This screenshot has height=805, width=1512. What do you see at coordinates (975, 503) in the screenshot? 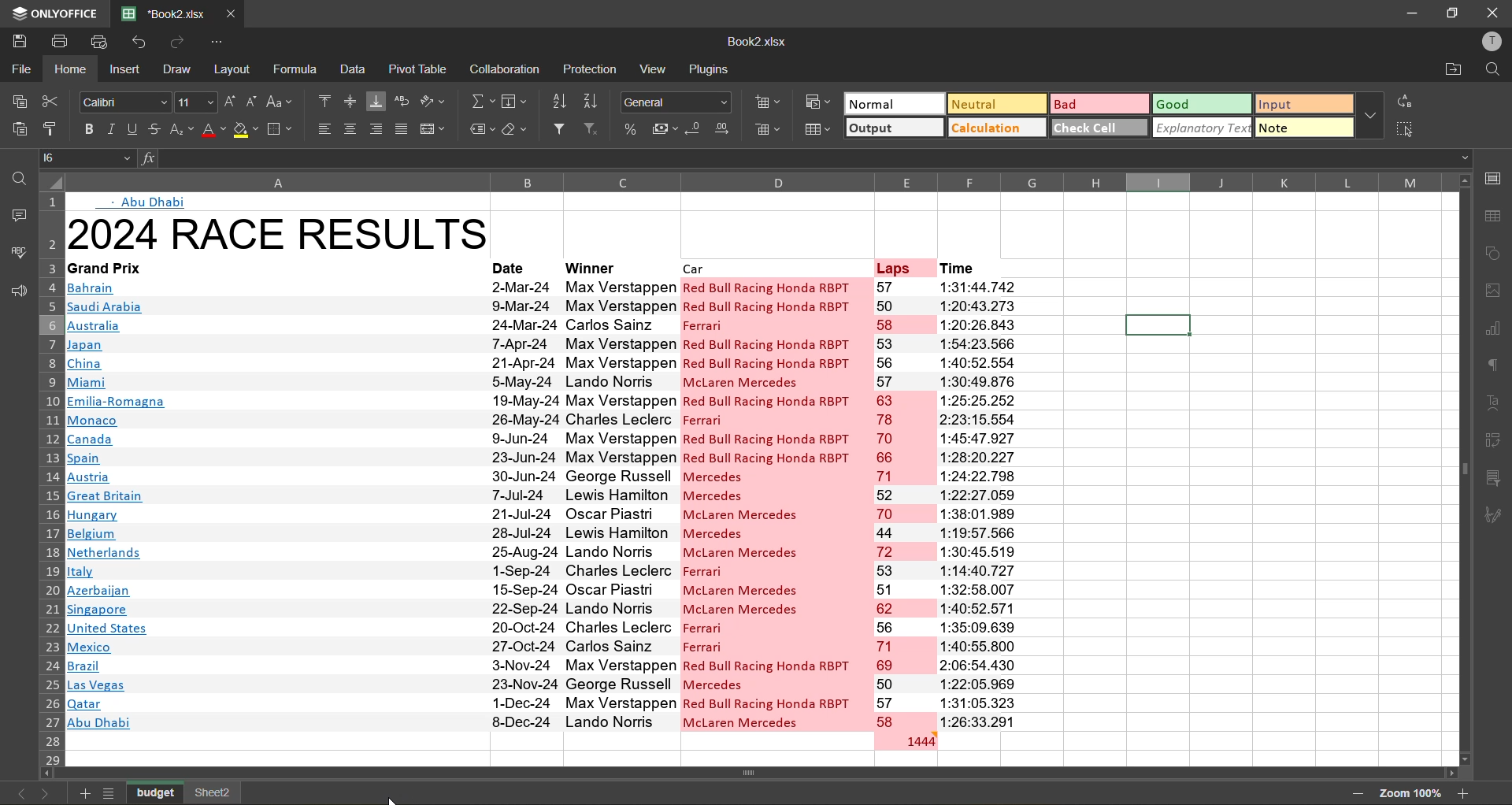
I see `time` at bounding box center [975, 503].